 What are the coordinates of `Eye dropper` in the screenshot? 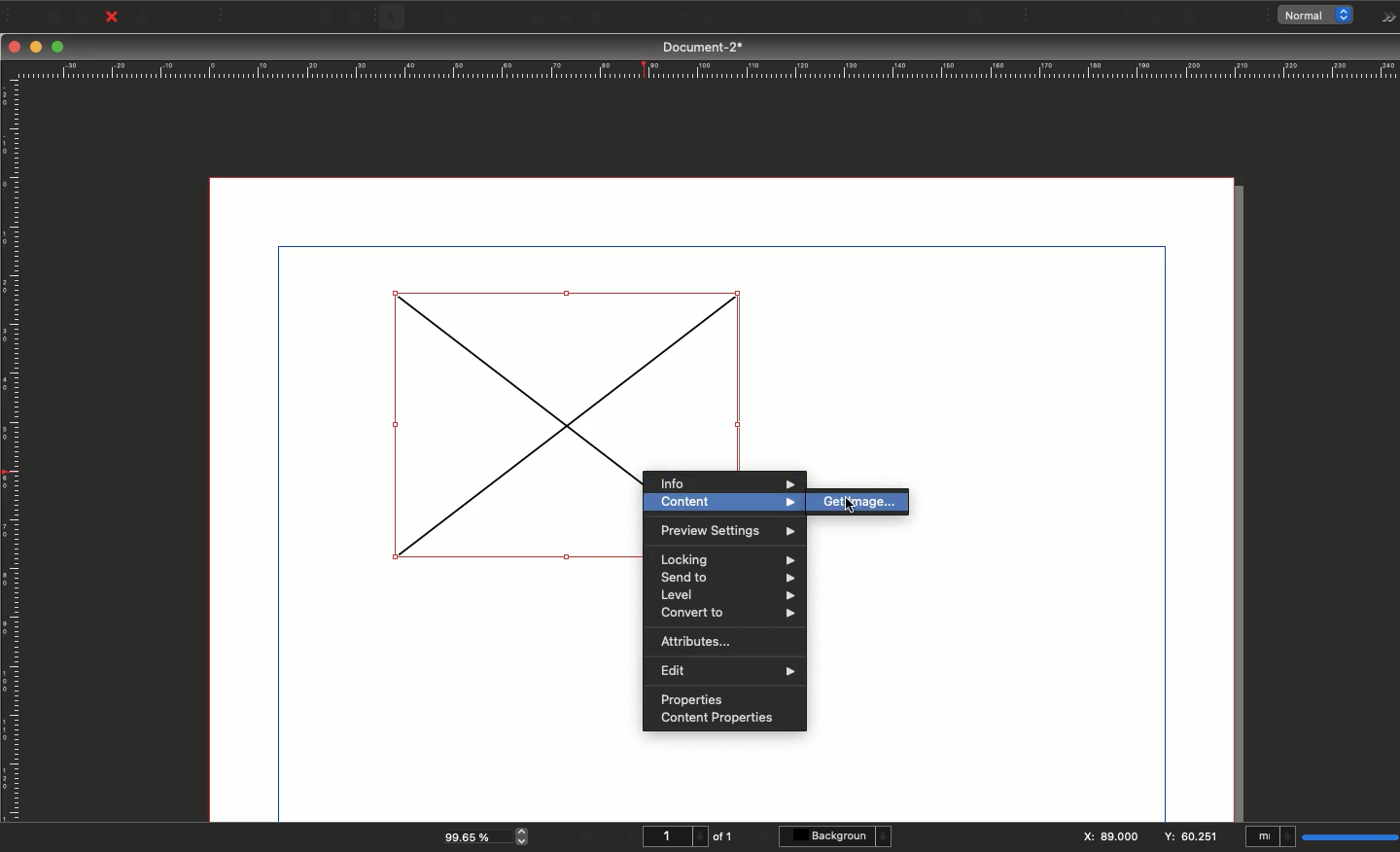 It's located at (1004, 18).